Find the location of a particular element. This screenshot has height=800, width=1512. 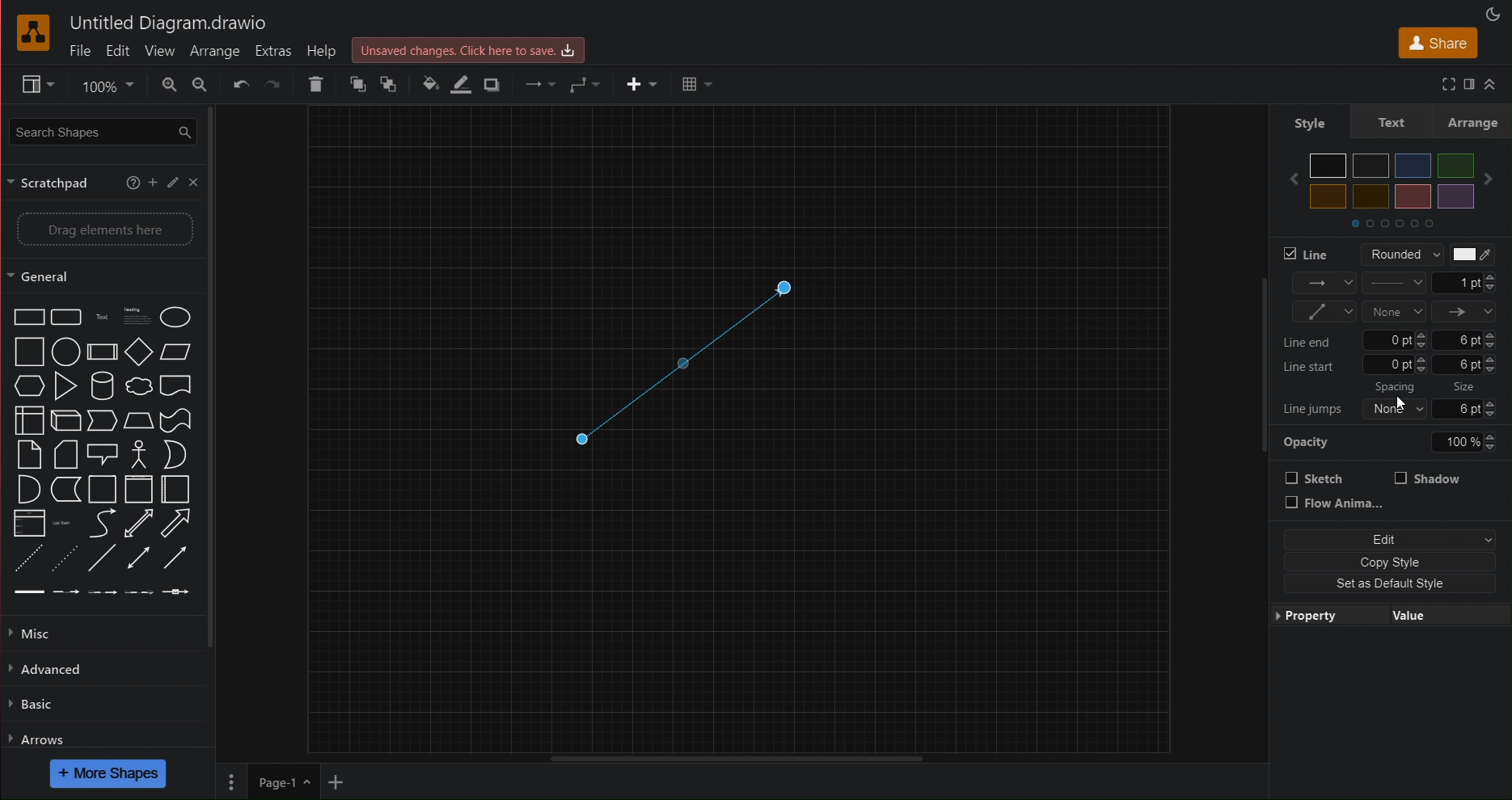

Extras is located at coordinates (273, 51).